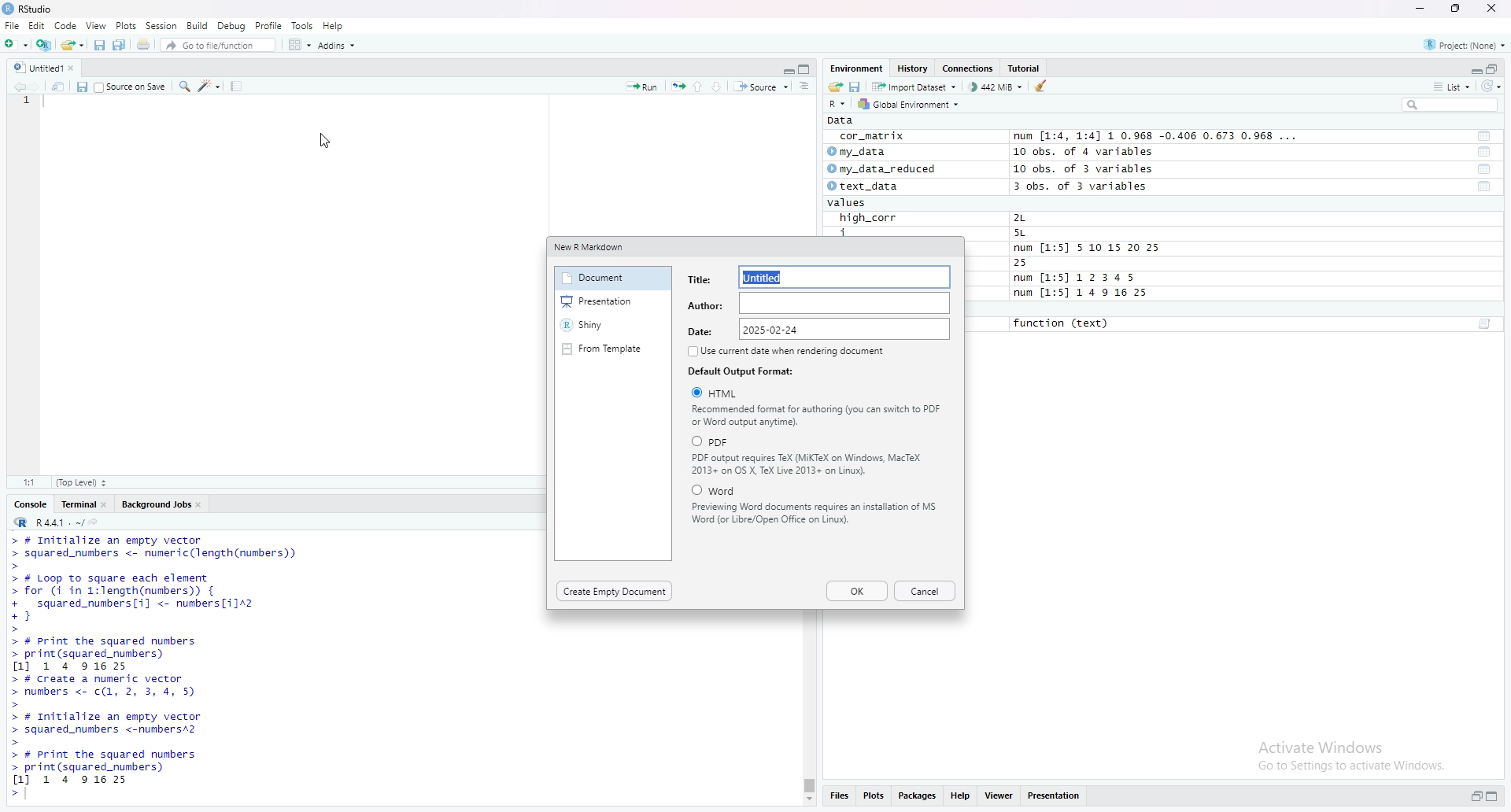 This screenshot has width=1511, height=812. Describe the element at coordinates (231, 27) in the screenshot. I see `Debug` at that location.